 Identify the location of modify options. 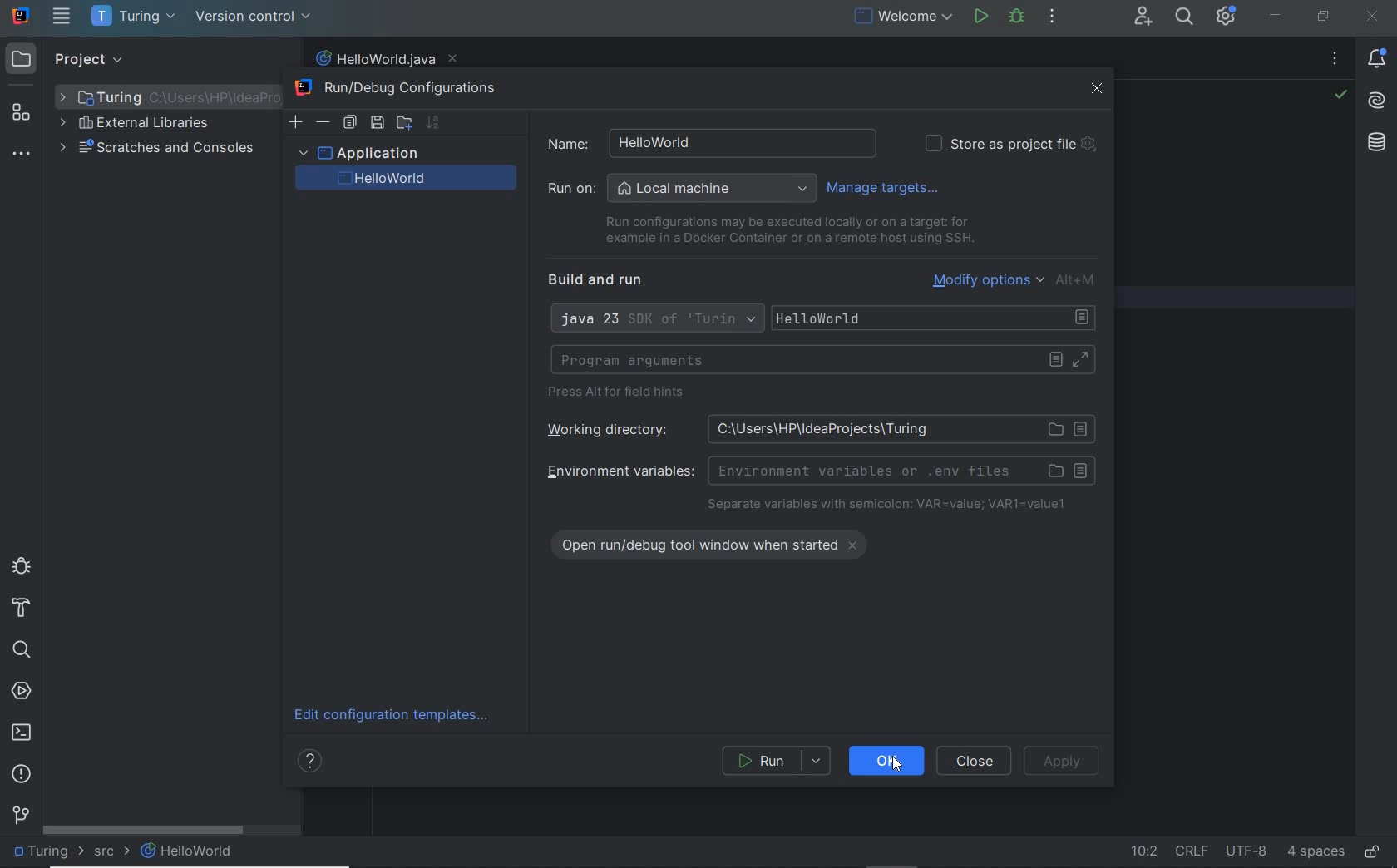
(1016, 279).